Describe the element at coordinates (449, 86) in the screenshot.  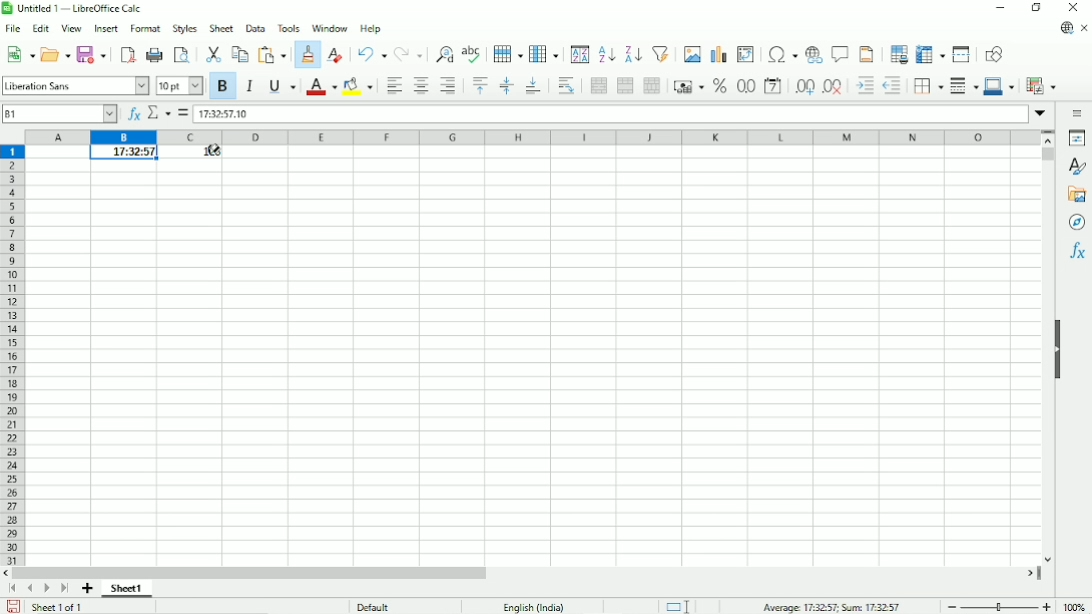
I see `Align right` at that location.